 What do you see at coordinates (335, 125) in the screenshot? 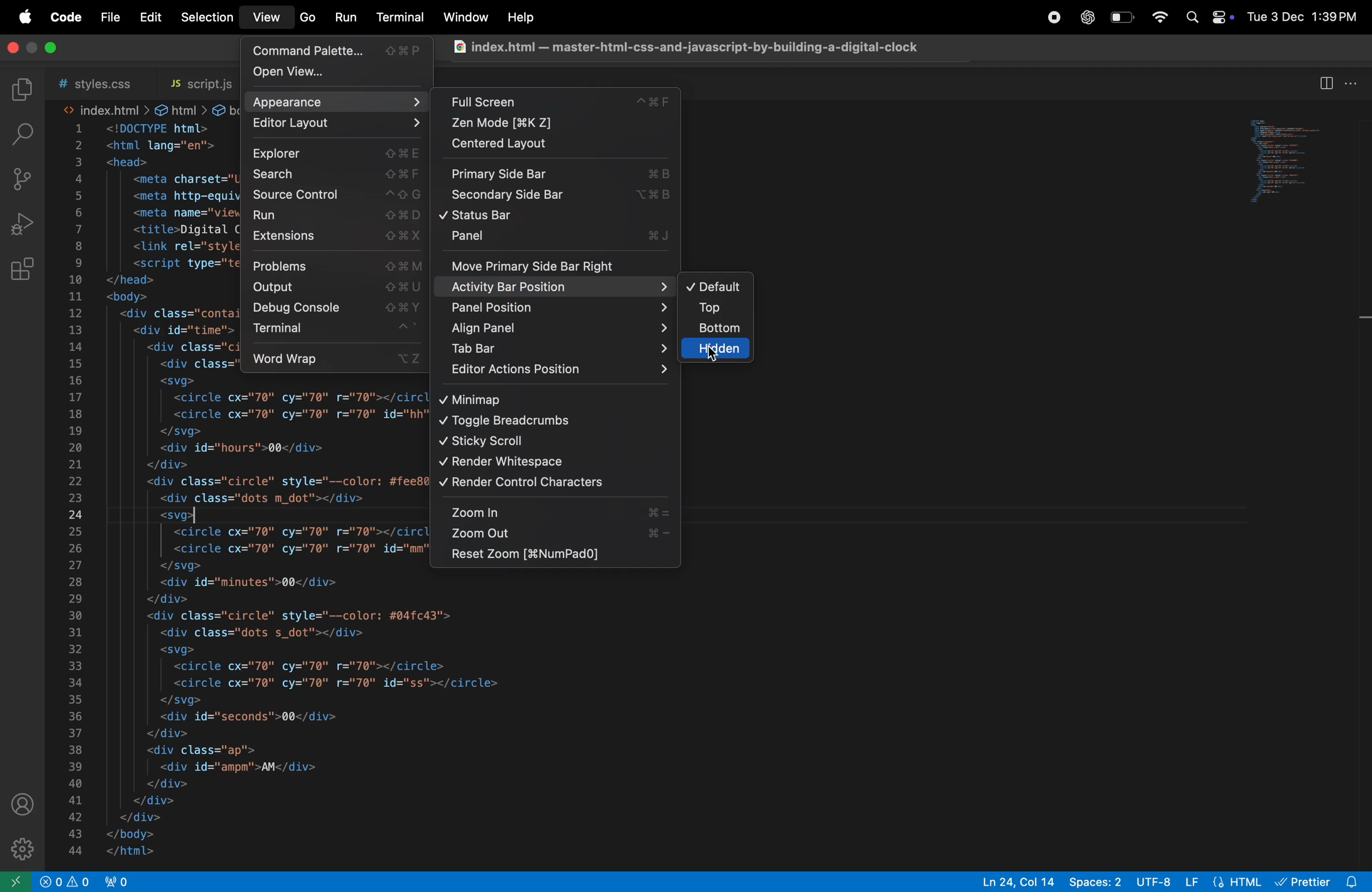
I see `editor layout` at bounding box center [335, 125].